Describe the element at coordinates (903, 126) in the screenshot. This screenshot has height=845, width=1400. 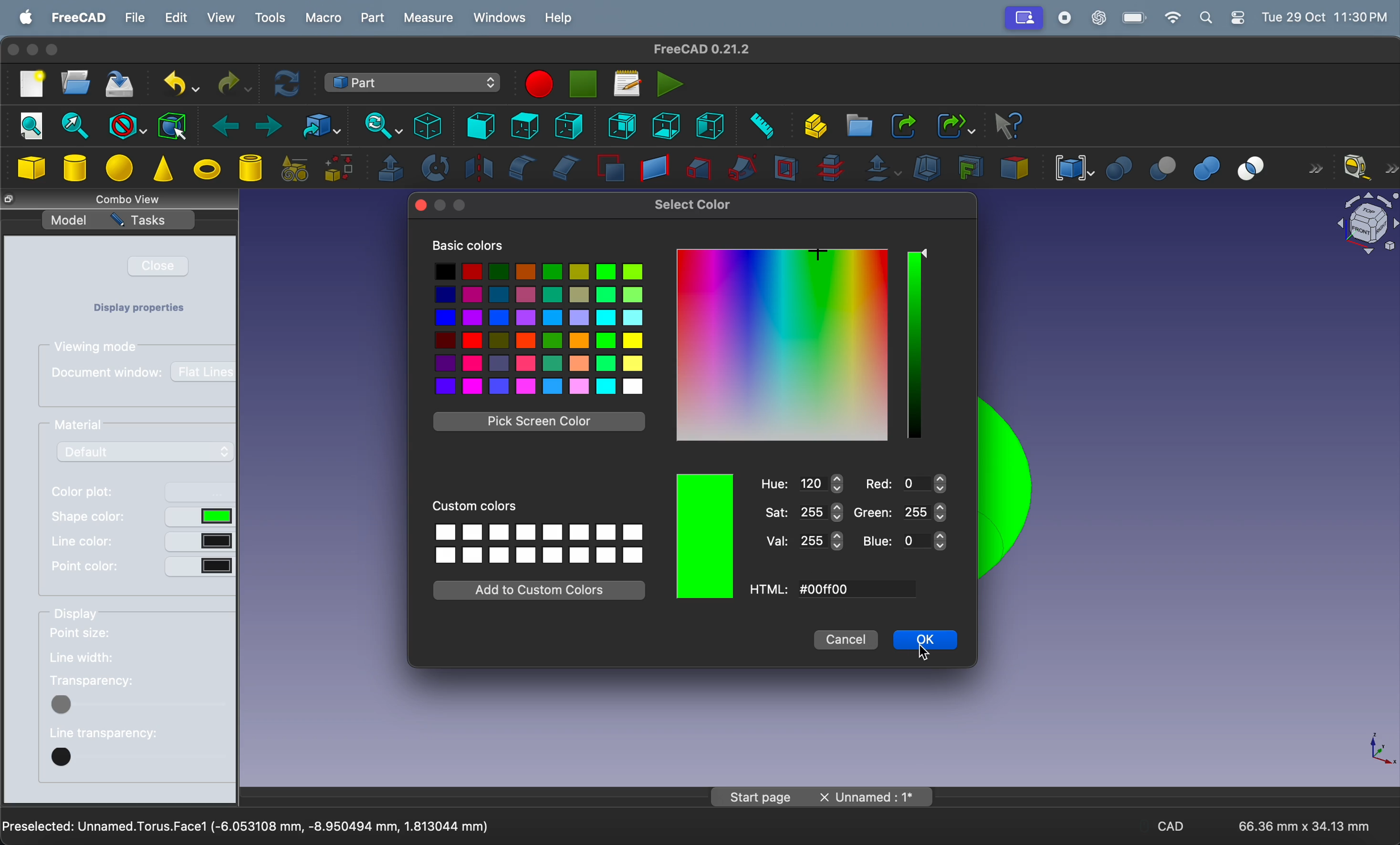
I see `make link` at that location.